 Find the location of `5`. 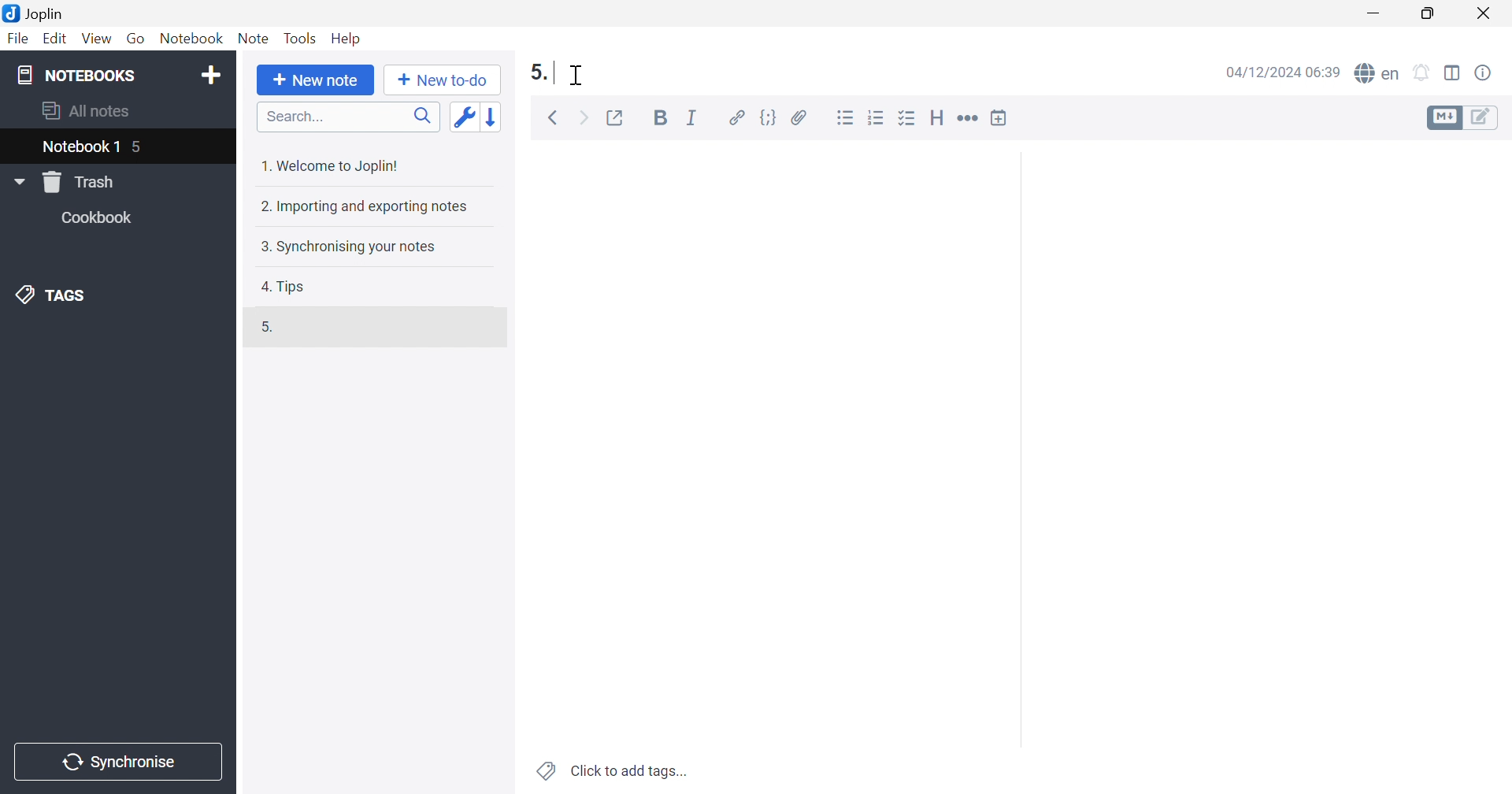

5 is located at coordinates (139, 145).